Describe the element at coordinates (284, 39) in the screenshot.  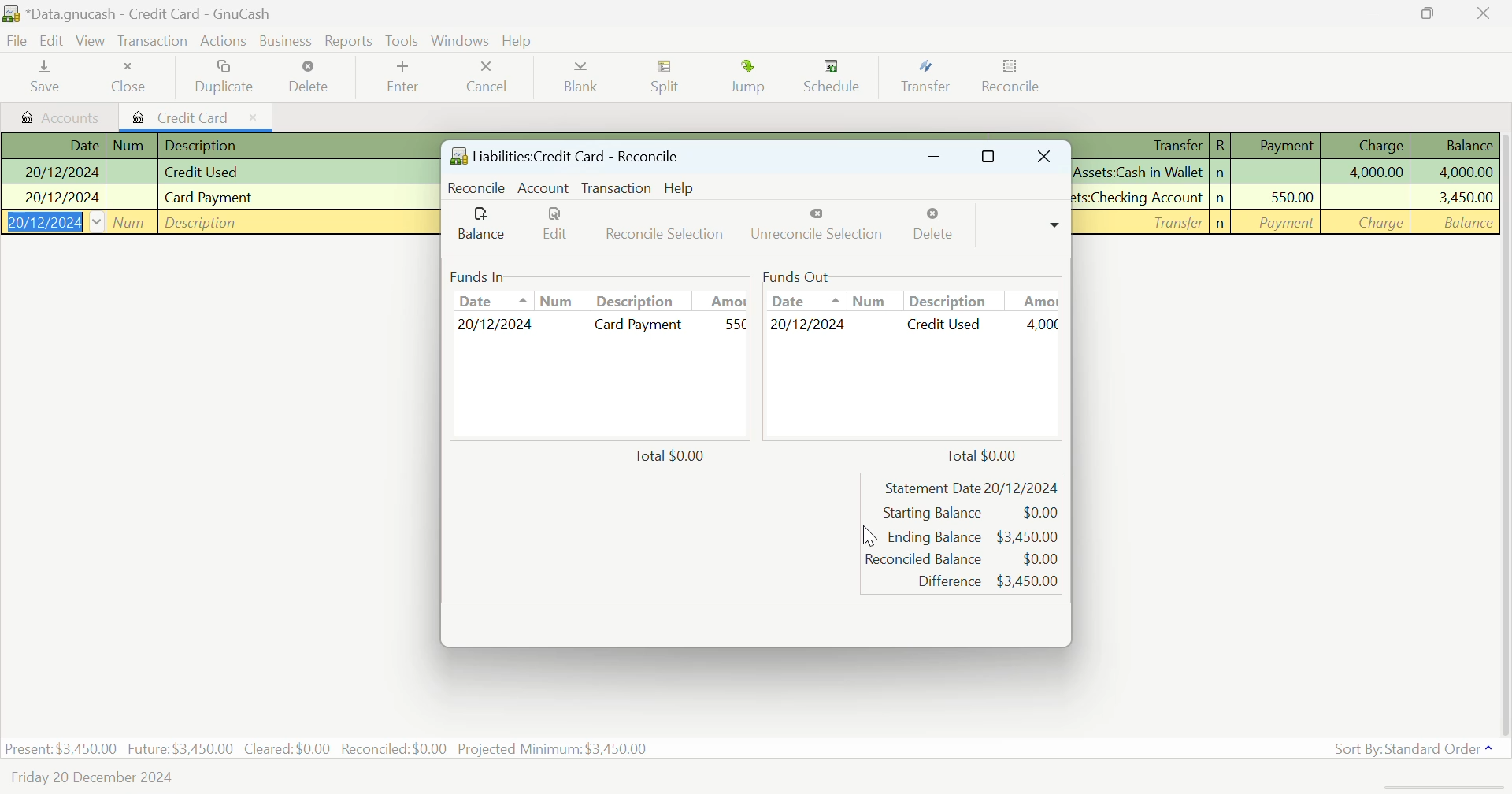
I see `Business` at that location.